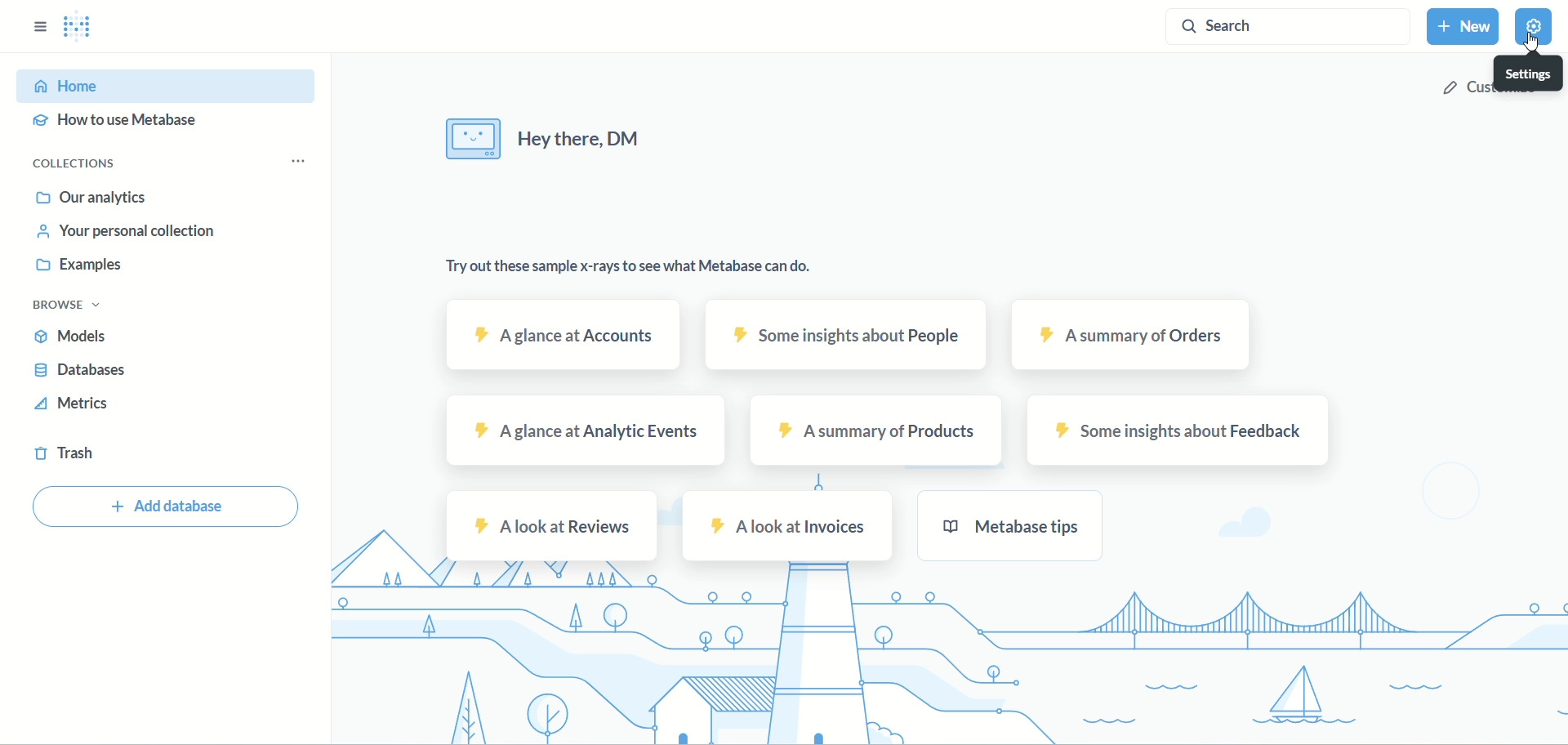  I want to click on logo, so click(89, 27).